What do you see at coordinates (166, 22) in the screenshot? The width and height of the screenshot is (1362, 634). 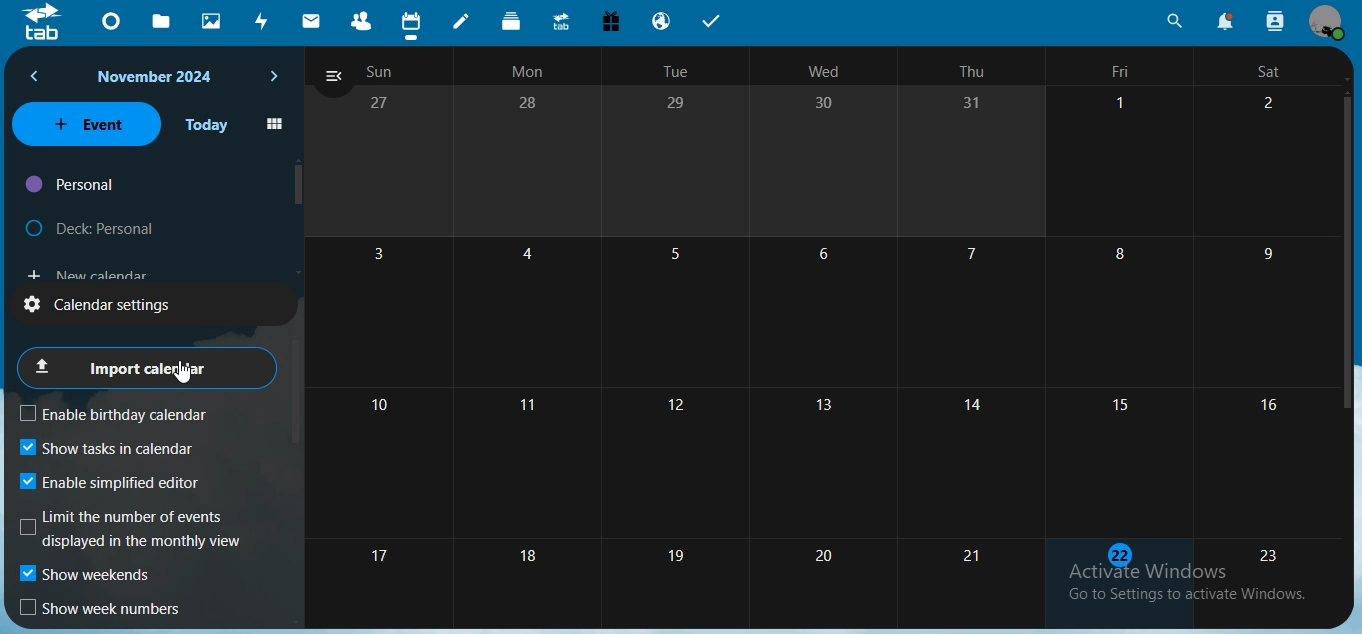 I see `files` at bounding box center [166, 22].